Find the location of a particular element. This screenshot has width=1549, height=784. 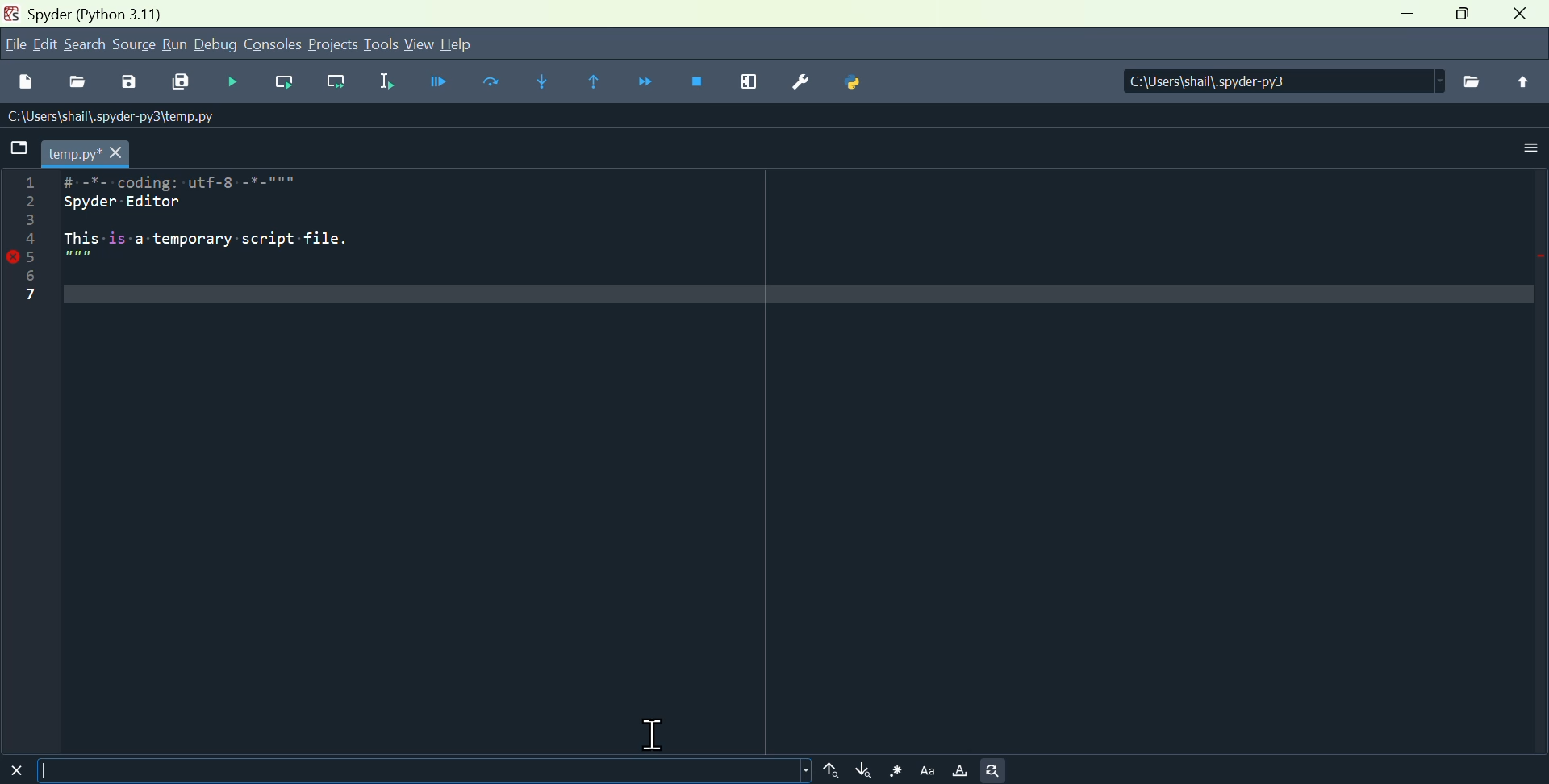

Step into function is located at coordinates (543, 83).